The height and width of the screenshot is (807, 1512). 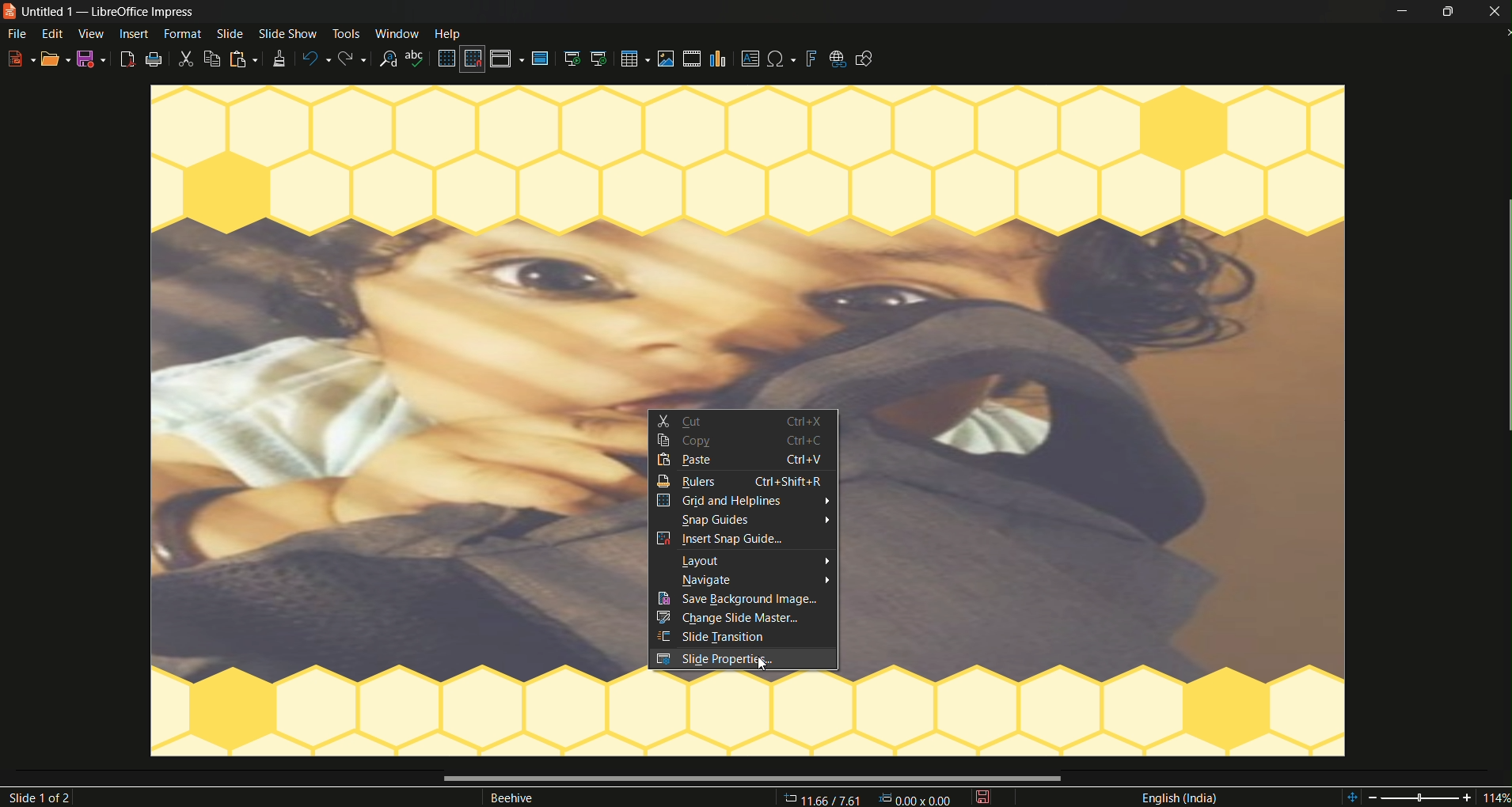 I want to click on Beehive, so click(x=518, y=798).